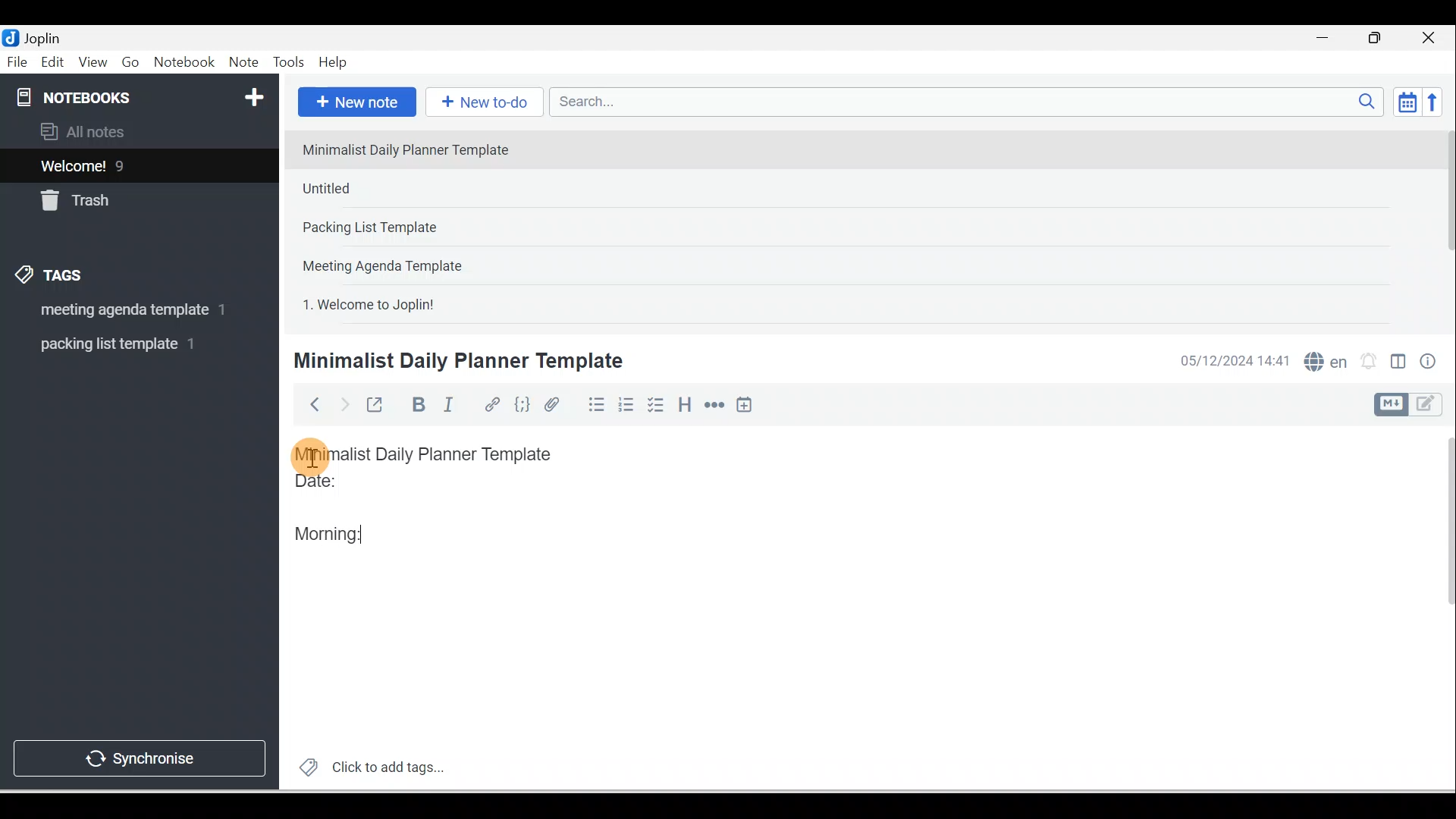 The width and height of the screenshot is (1456, 819). What do you see at coordinates (456, 361) in the screenshot?
I see `Minimalist Daily Planner Template` at bounding box center [456, 361].